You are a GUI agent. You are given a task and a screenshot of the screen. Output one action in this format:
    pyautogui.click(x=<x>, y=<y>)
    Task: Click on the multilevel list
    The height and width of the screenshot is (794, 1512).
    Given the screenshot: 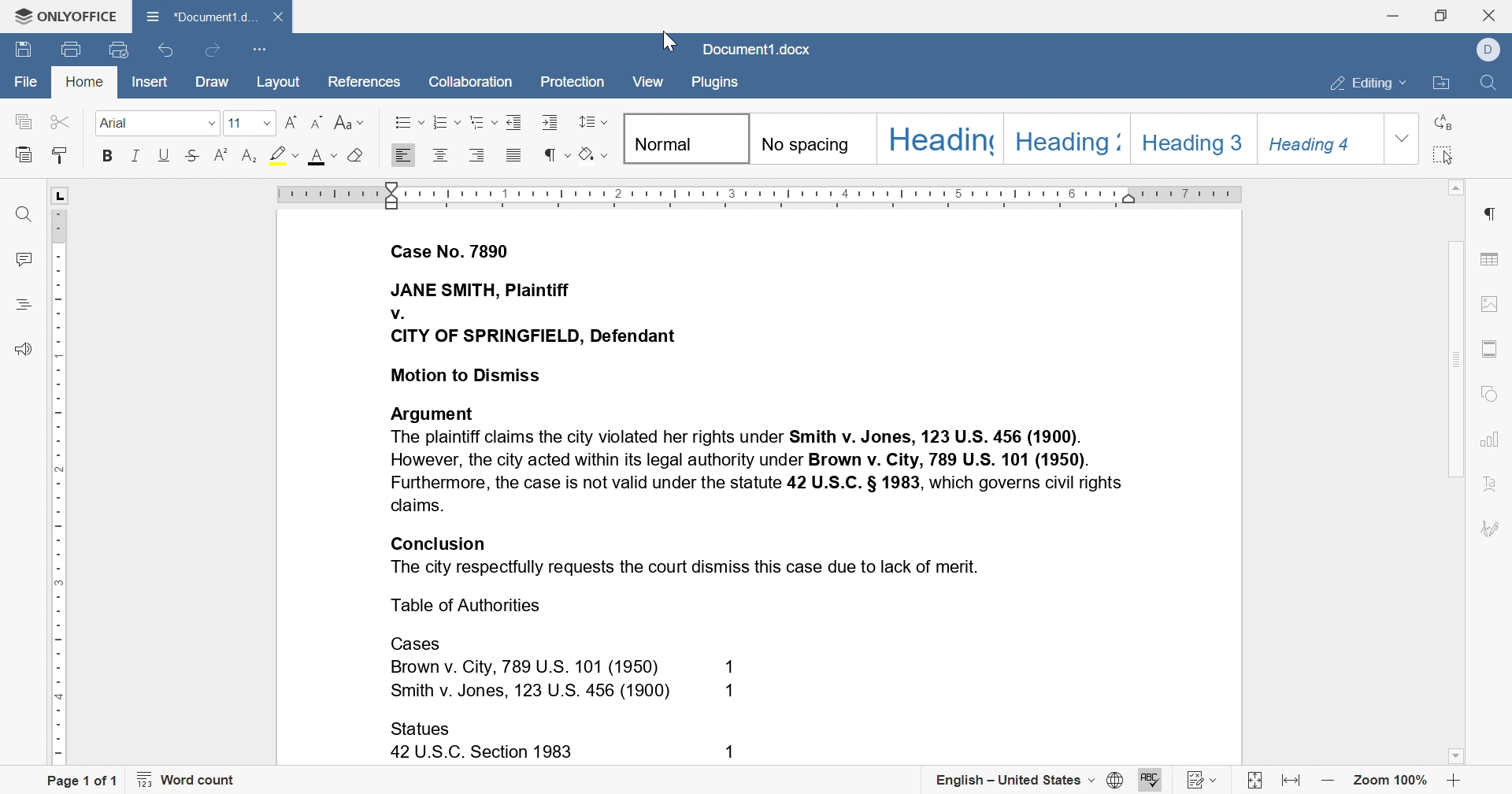 What is the action you would take?
    pyautogui.click(x=483, y=121)
    